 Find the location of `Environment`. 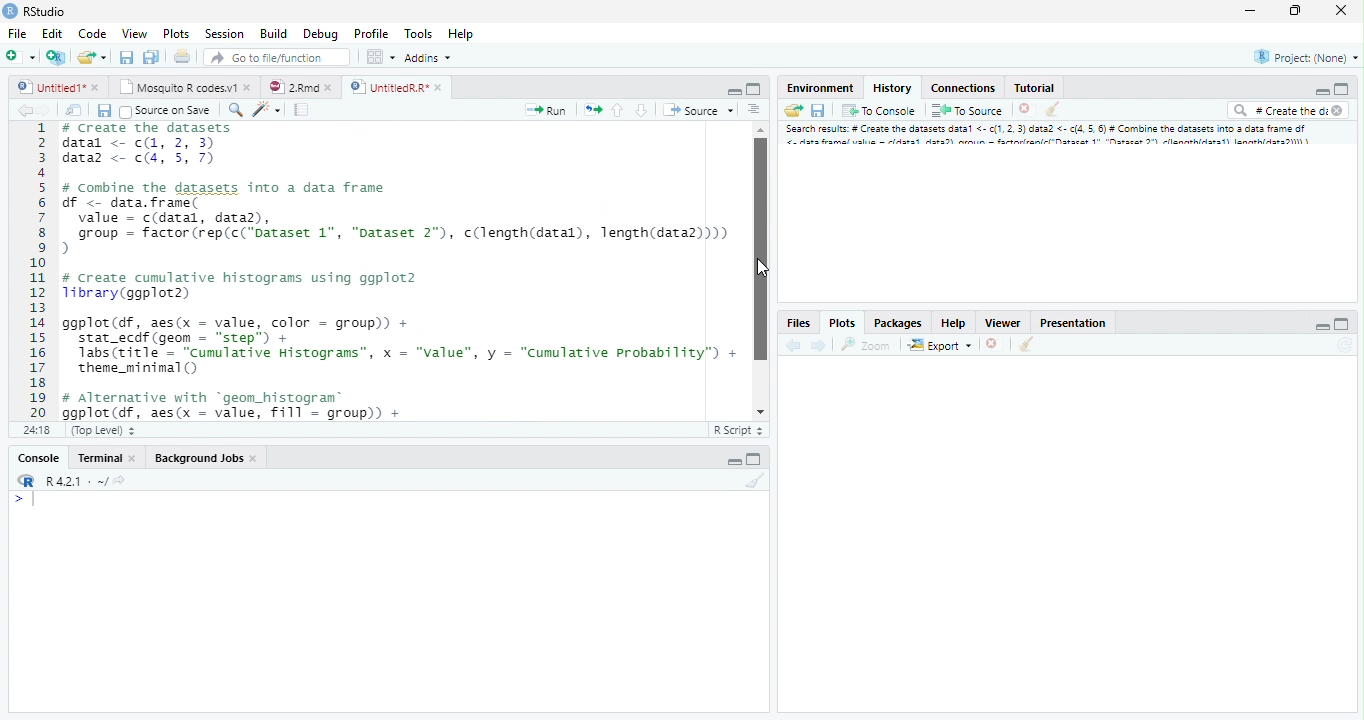

Environment is located at coordinates (819, 88).